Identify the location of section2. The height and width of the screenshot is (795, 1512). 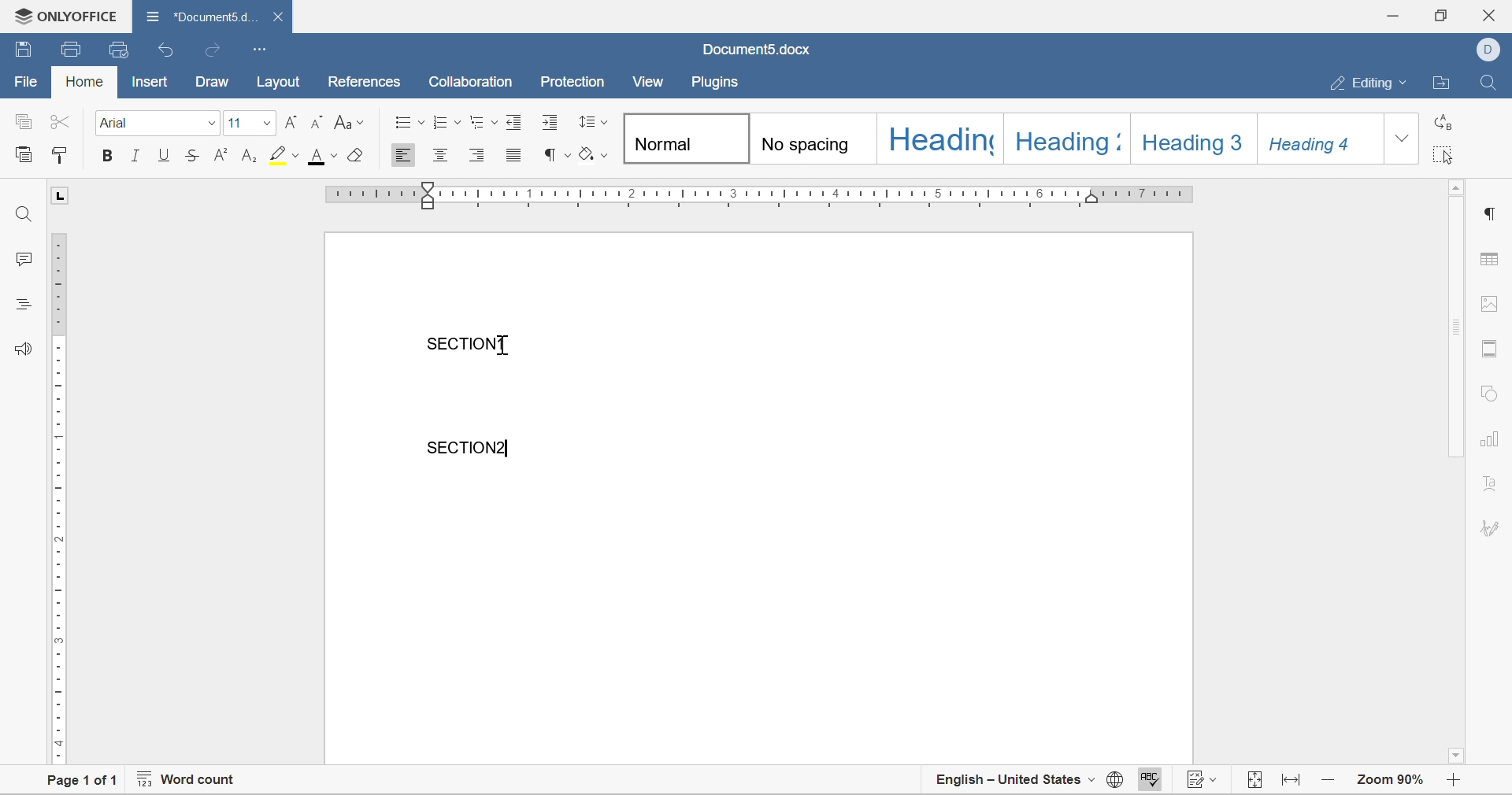
(470, 447).